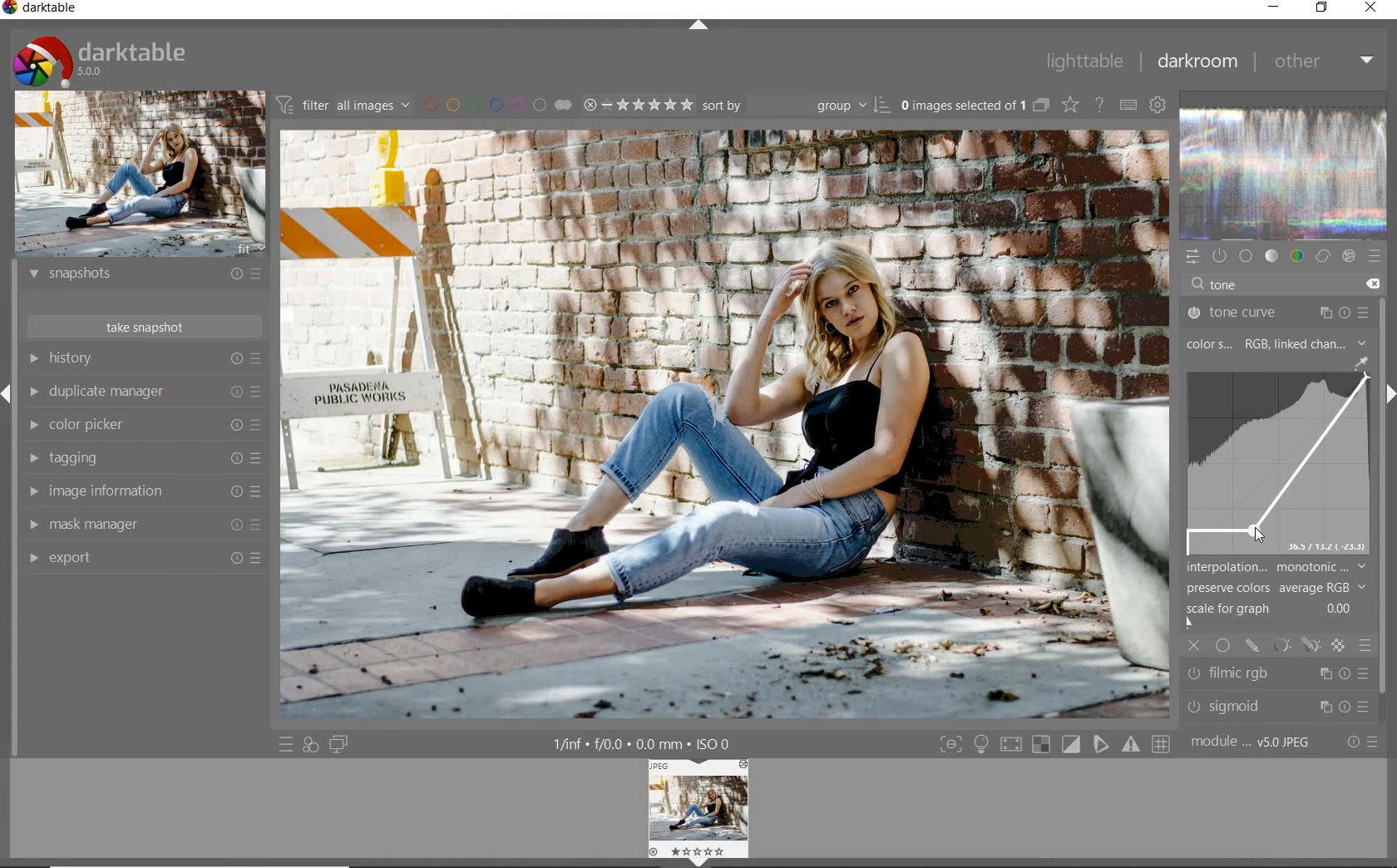 This screenshot has height=868, width=1397. What do you see at coordinates (698, 812) in the screenshot?
I see `image preview` at bounding box center [698, 812].